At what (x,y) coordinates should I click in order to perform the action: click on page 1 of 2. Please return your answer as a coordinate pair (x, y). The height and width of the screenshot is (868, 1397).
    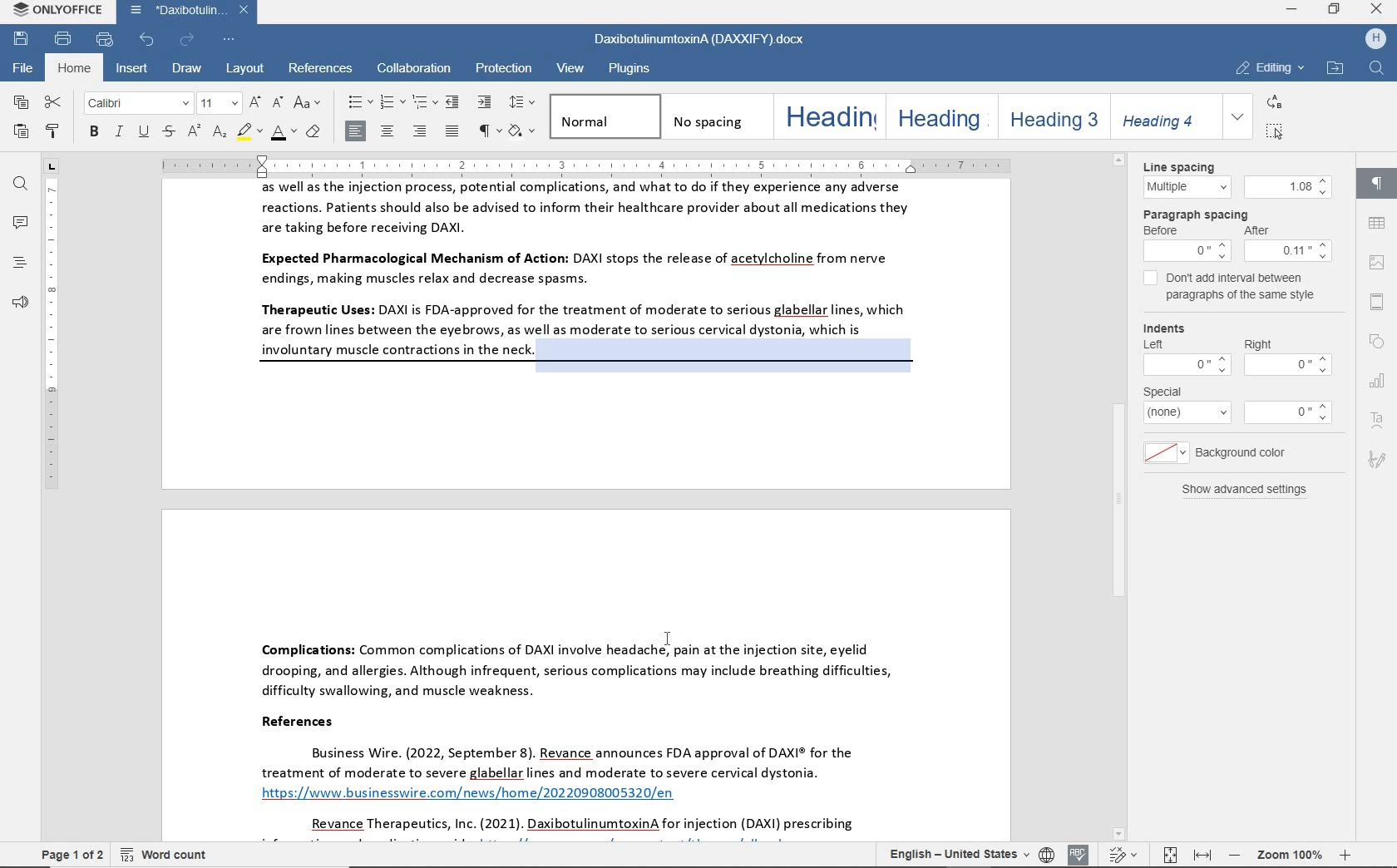
    Looking at the image, I should click on (72, 853).